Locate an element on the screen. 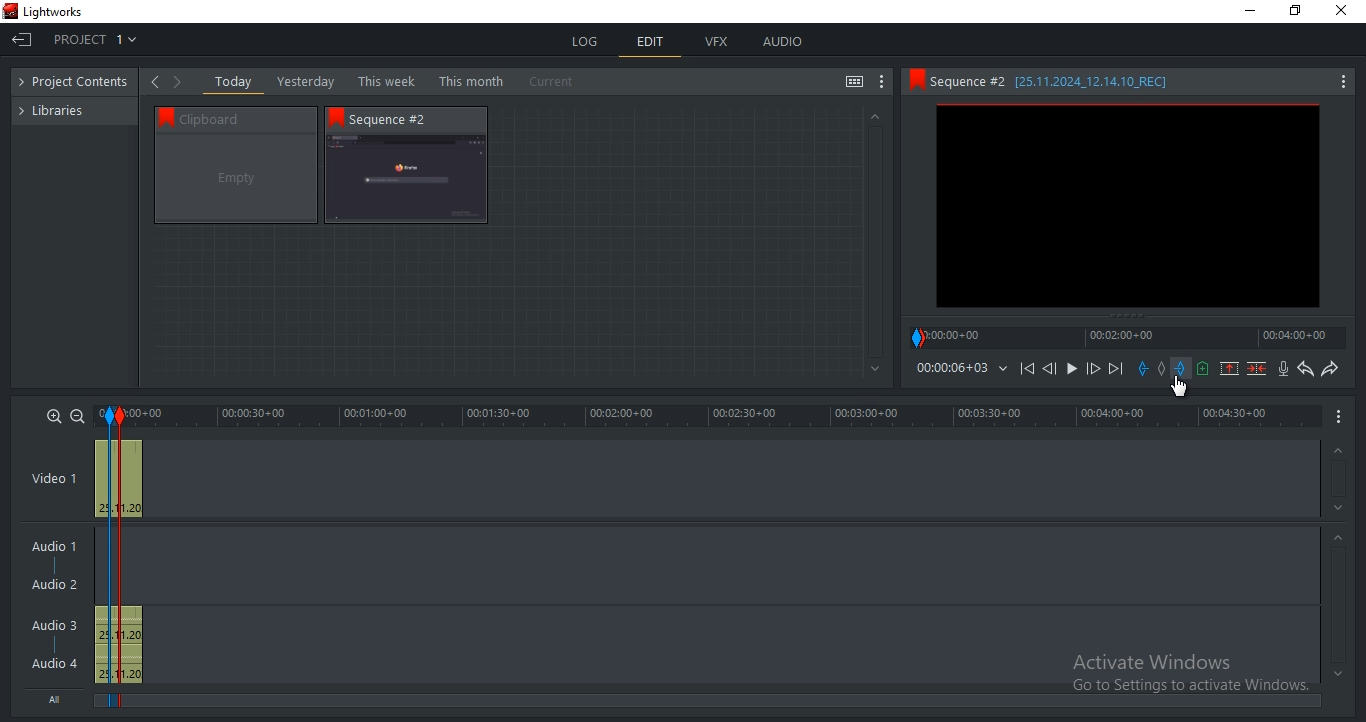 Image resolution: width=1366 pixels, height=722 pixels. Show options to the left is located at coordinates (154, 81).